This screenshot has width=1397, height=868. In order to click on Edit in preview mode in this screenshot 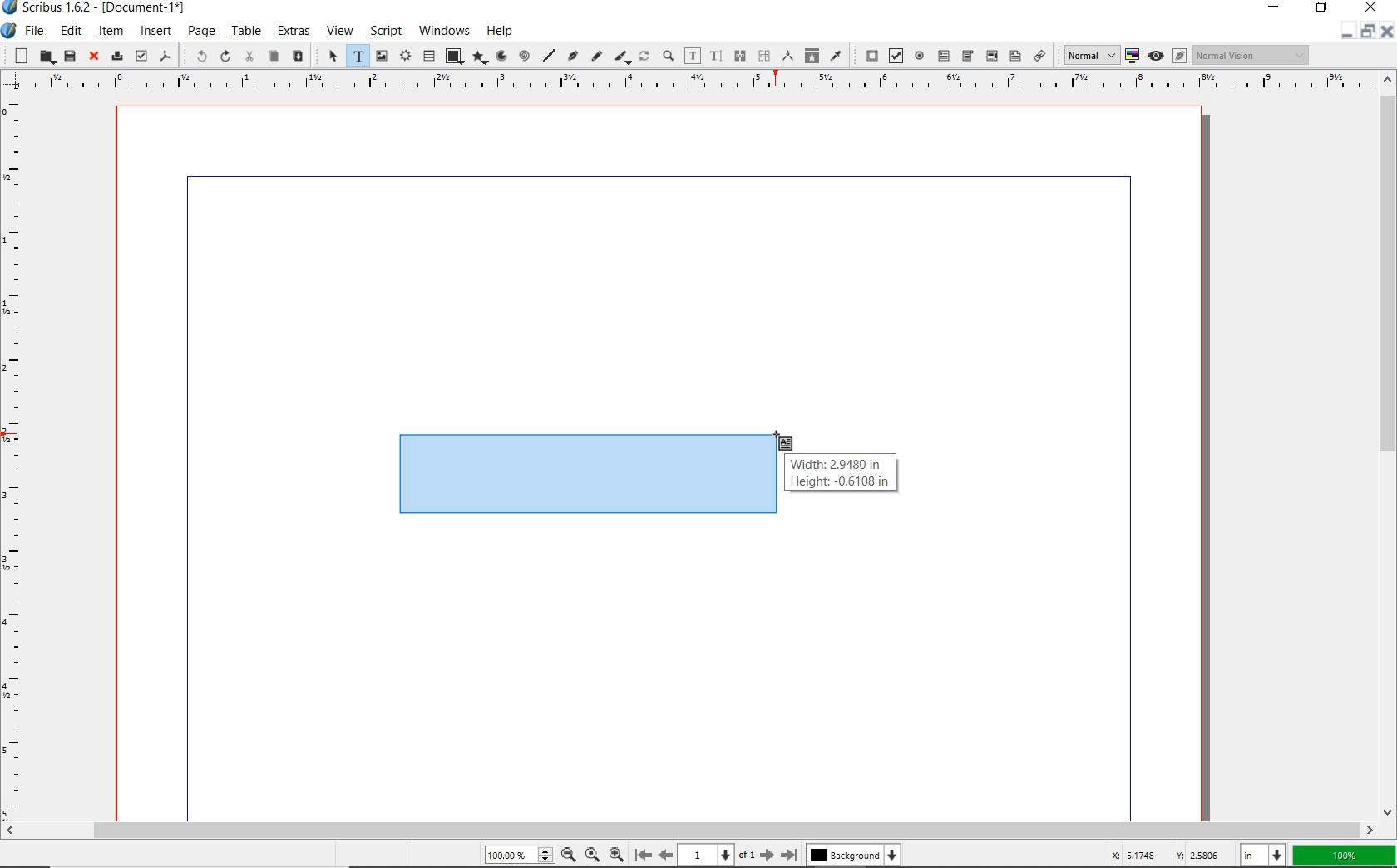, I will do `click(1179, 57)`.